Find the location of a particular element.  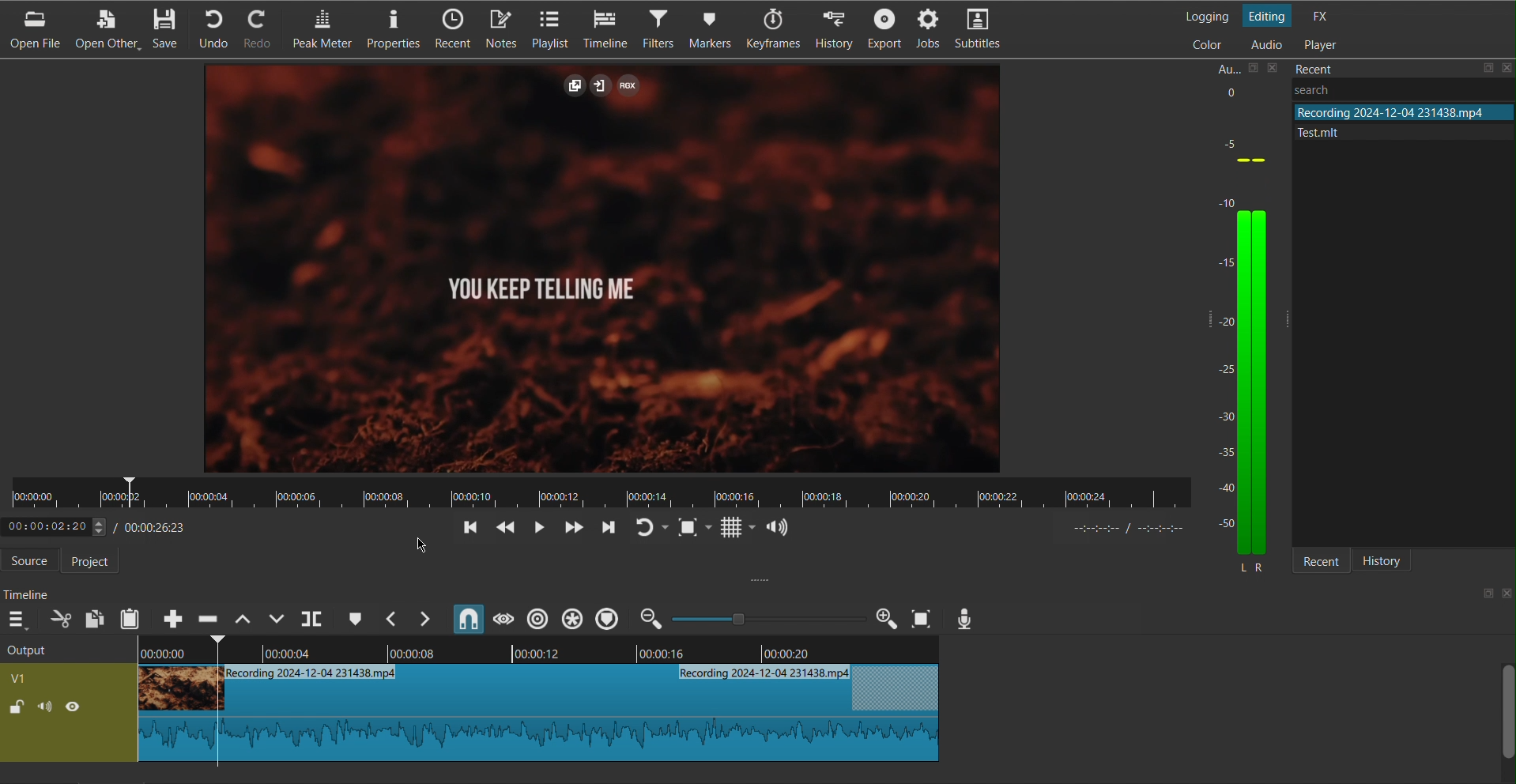

Ripple all tracks is located at coordinates (571, 618).